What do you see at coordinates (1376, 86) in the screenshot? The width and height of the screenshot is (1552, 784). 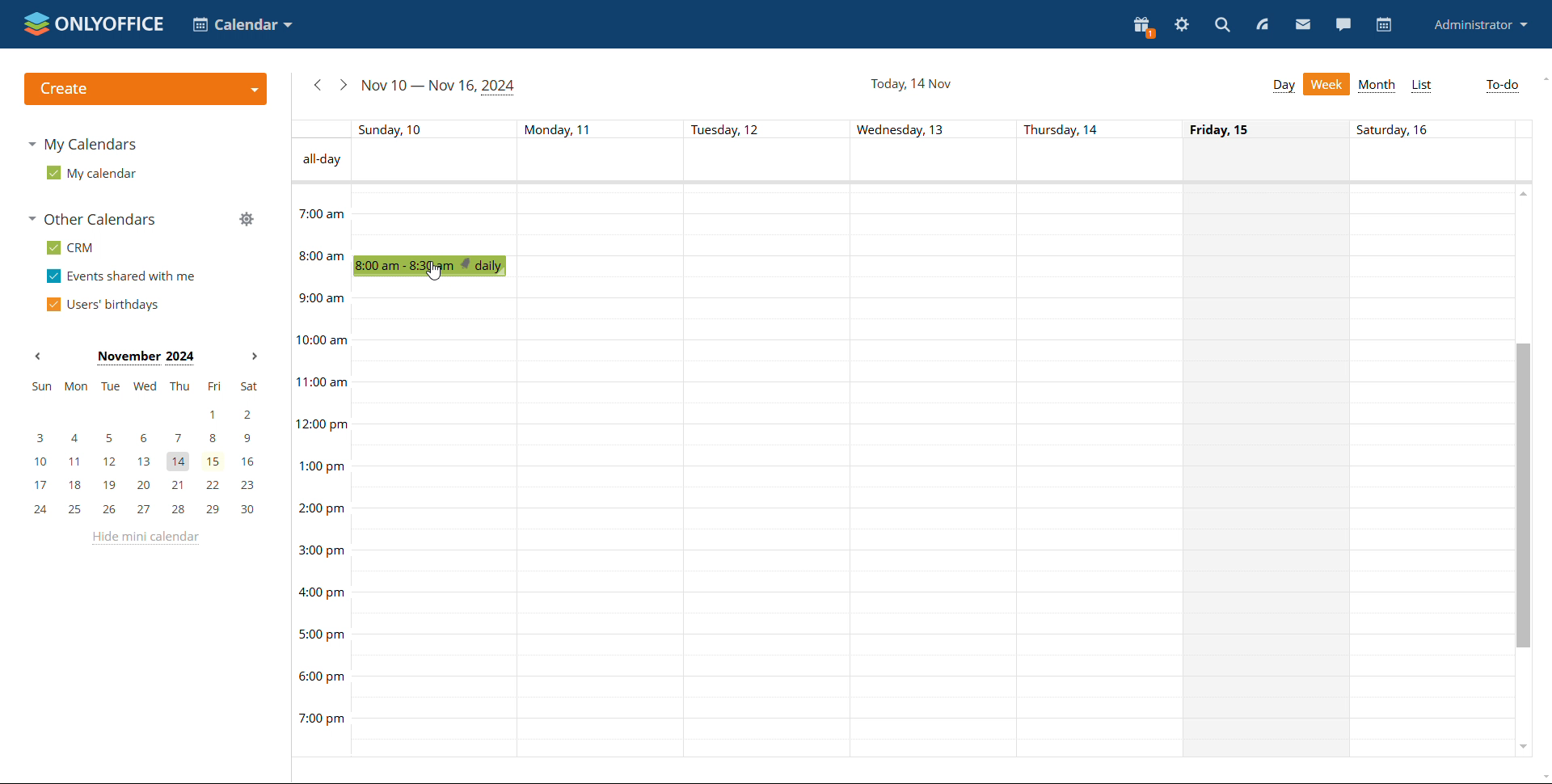 I see `month view` at bounding box center [1376, 86].